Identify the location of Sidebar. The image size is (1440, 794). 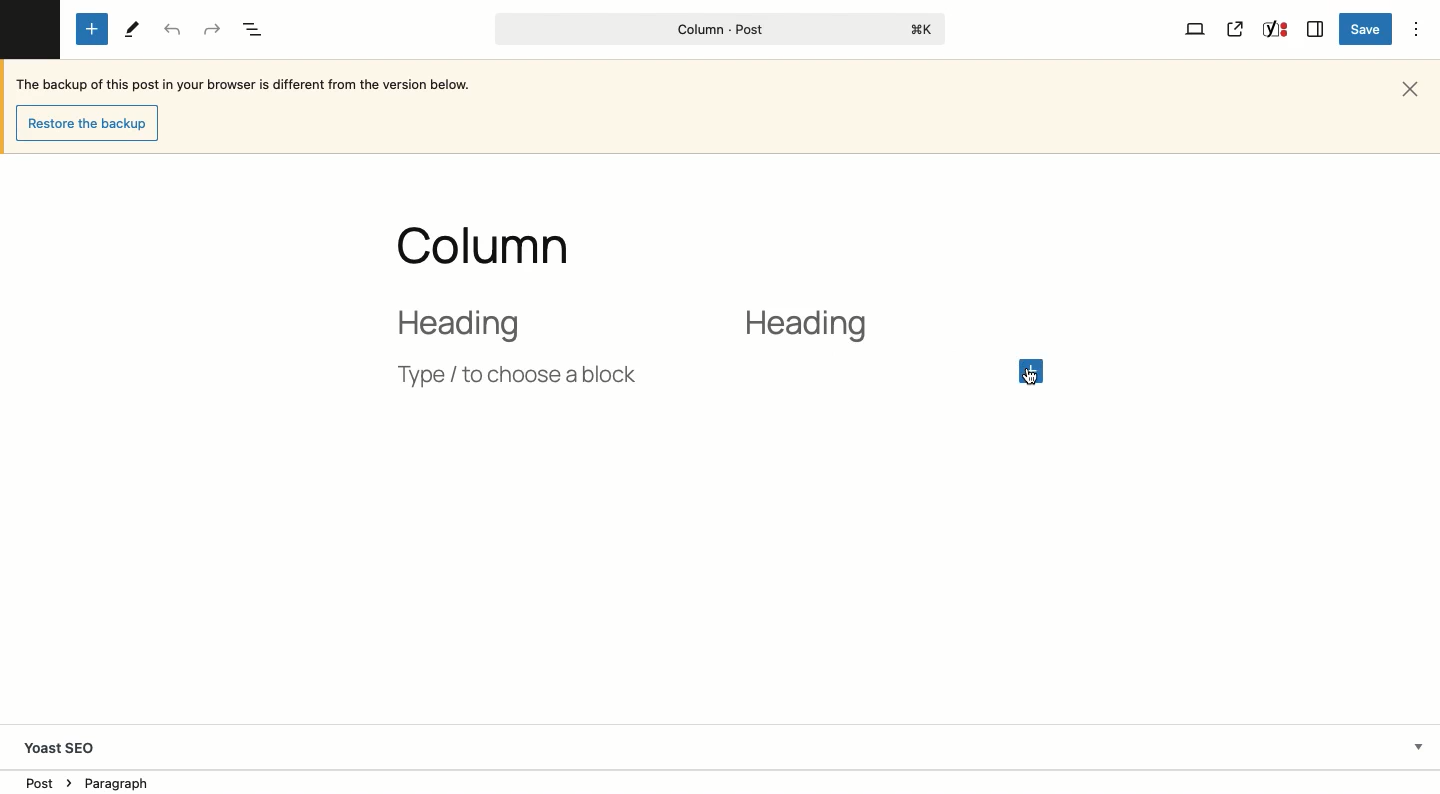
(1316, 27).